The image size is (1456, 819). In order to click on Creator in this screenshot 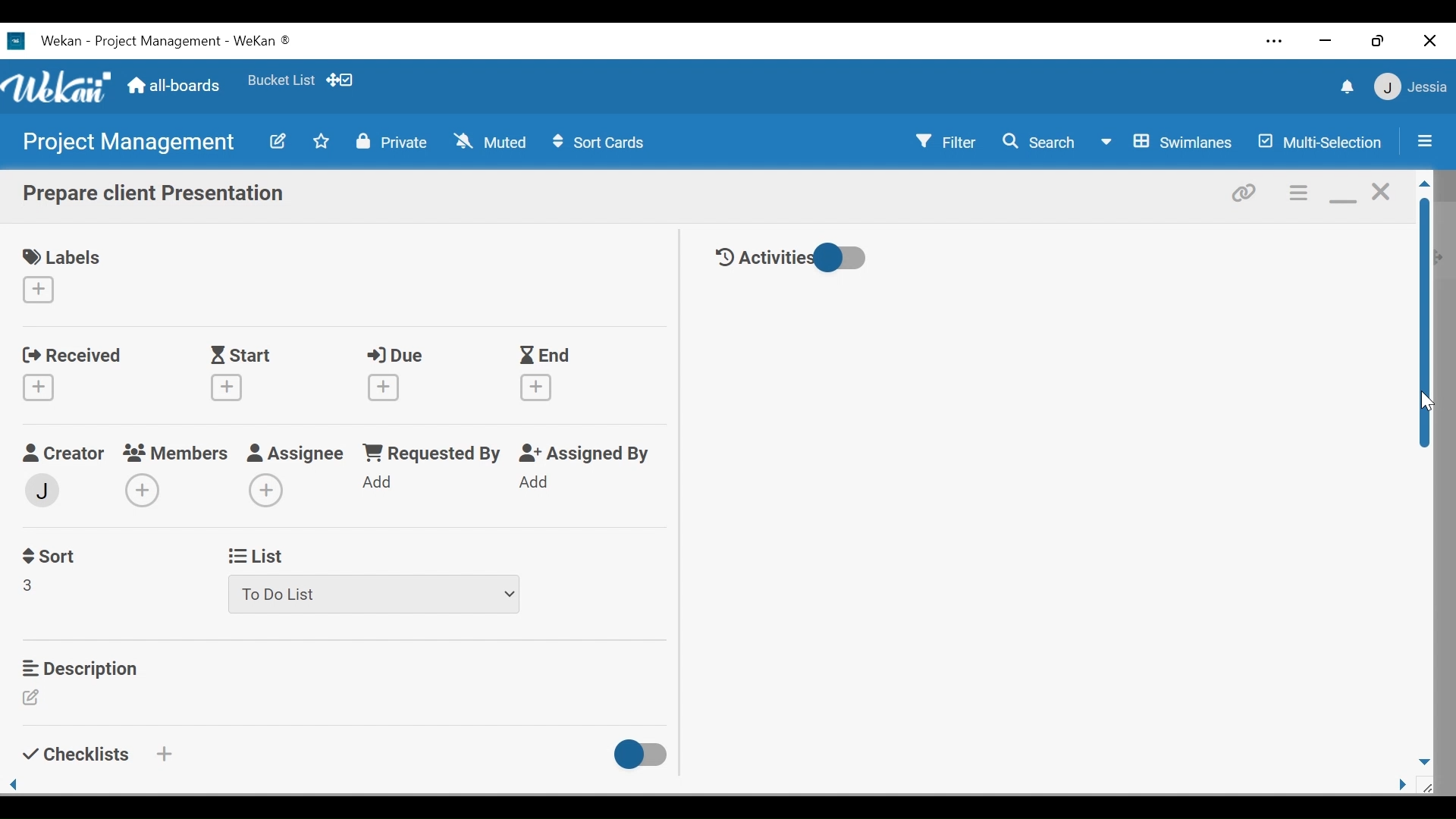, I will do `click(61, 453)`.